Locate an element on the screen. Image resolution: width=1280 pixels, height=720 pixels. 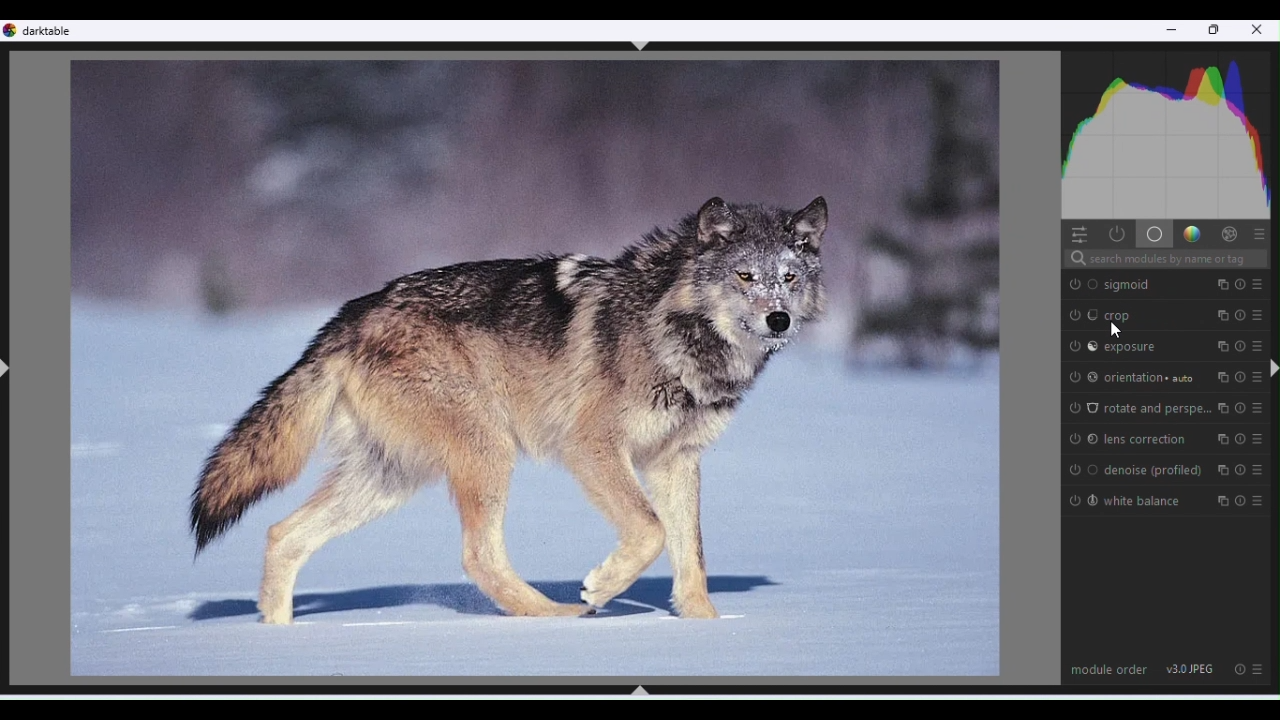
Module order is located at coordinates (1109, 668).